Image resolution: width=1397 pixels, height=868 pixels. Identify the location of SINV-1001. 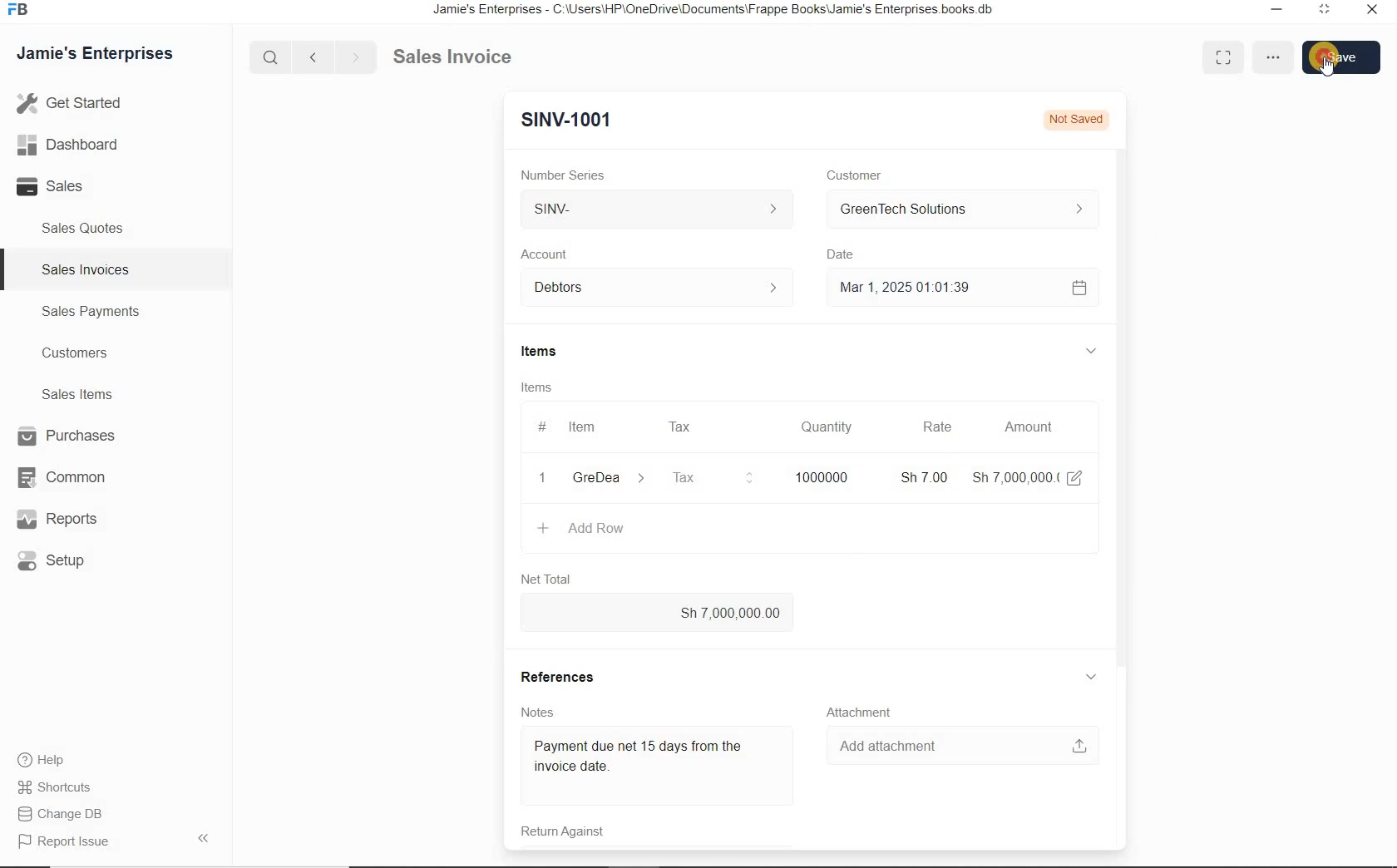
(562, 119).